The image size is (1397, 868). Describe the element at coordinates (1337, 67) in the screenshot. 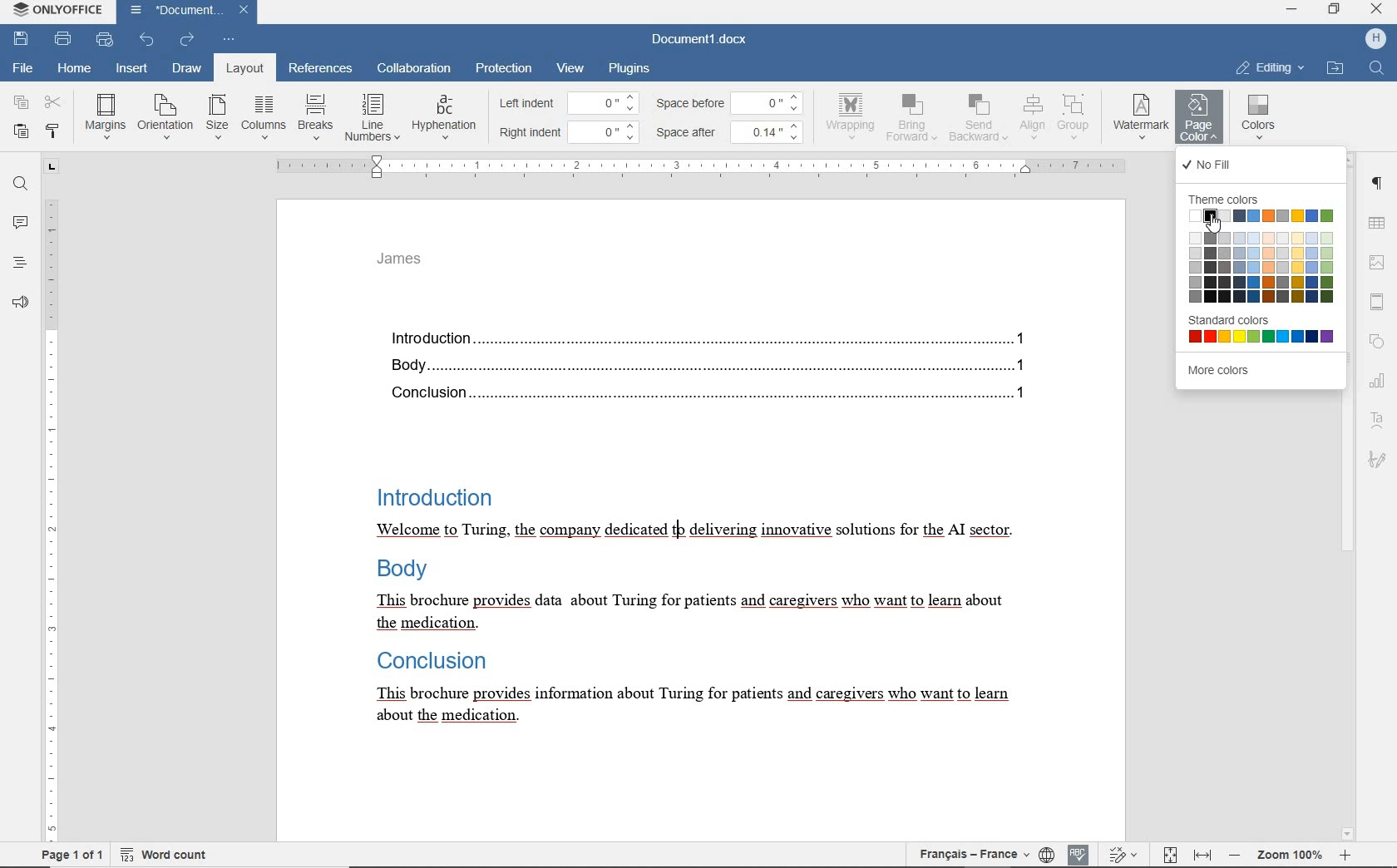

I see `OPEN FILE LOCATION` at that location.